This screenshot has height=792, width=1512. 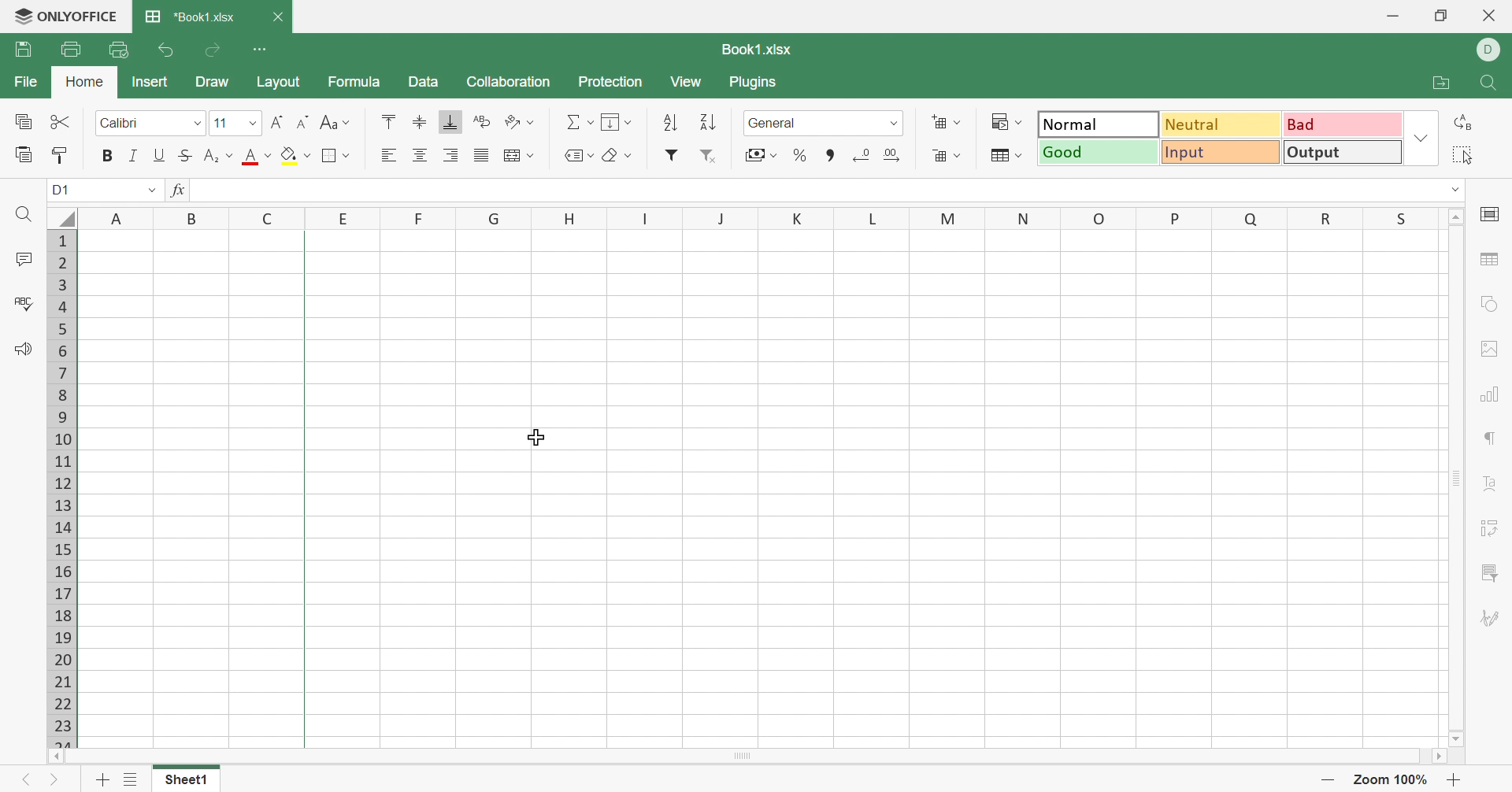 What do you see at coordinates (896, 123) in the screenshot?
I see `Drop Down` at bounding box center [896, 123].